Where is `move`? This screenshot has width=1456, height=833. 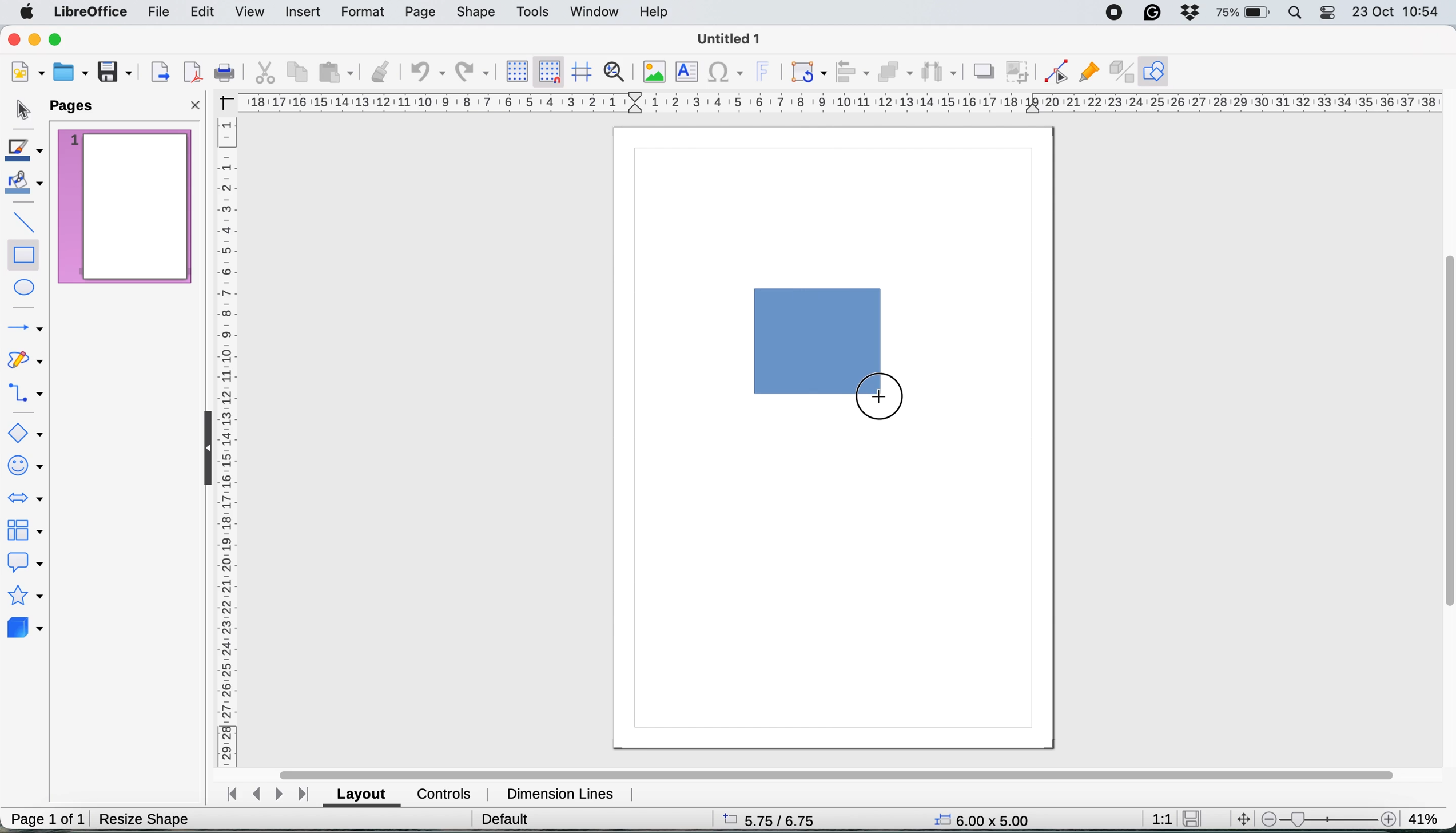 move is located at coordinates (1244, 819).